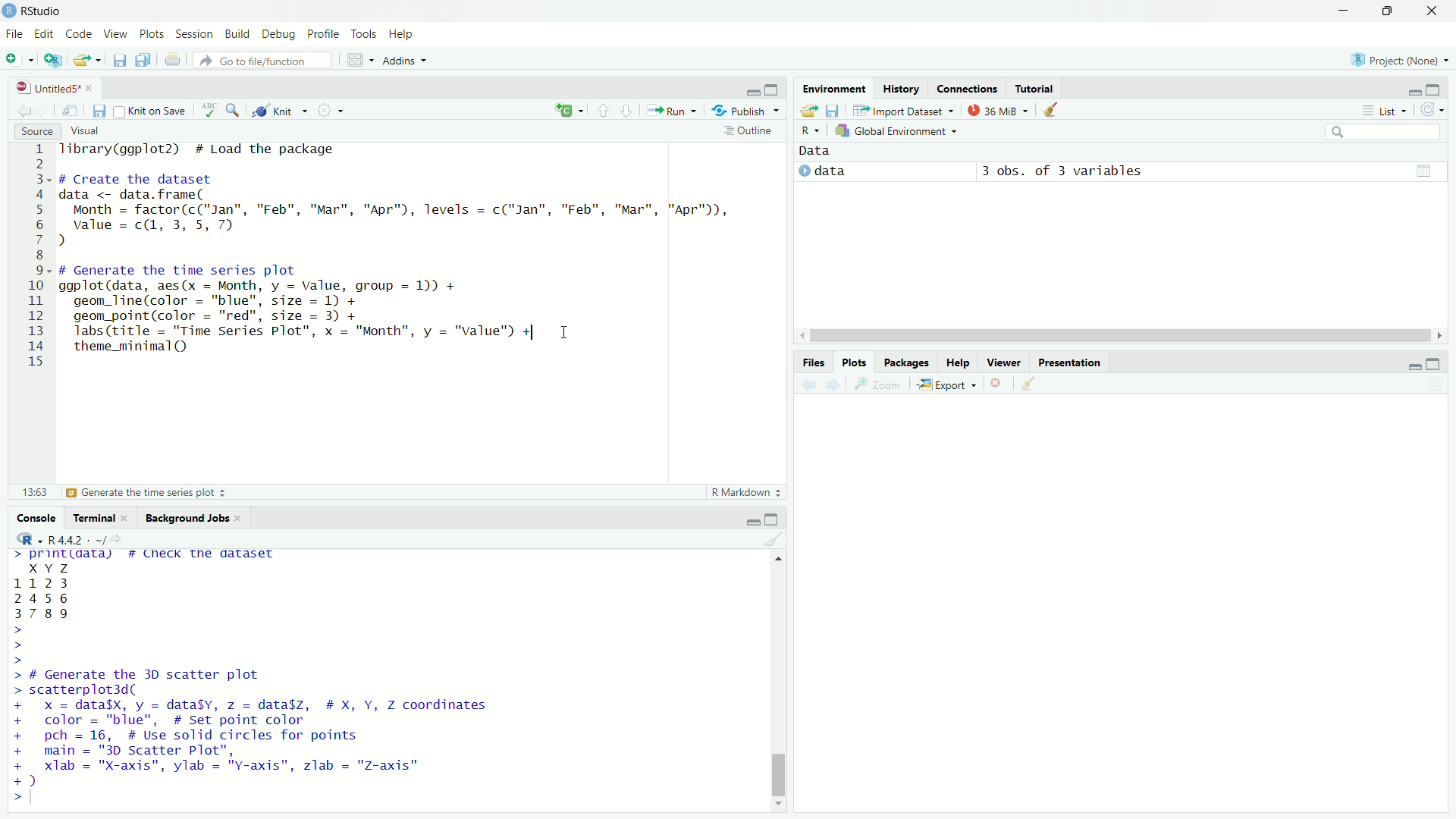  I want to click on maximize, so click(773, 519).